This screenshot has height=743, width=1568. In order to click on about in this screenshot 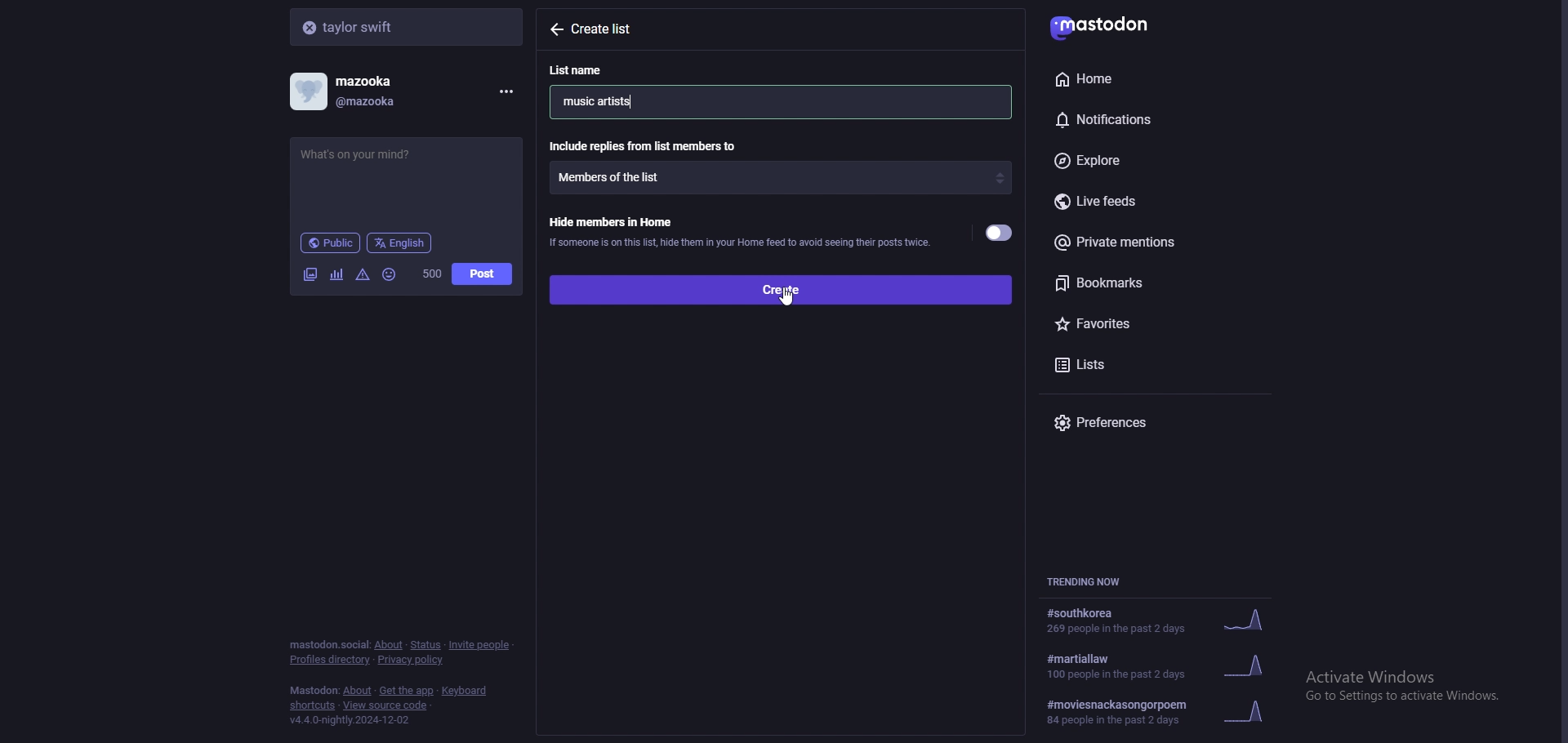, I will do `click(388, 645)`.